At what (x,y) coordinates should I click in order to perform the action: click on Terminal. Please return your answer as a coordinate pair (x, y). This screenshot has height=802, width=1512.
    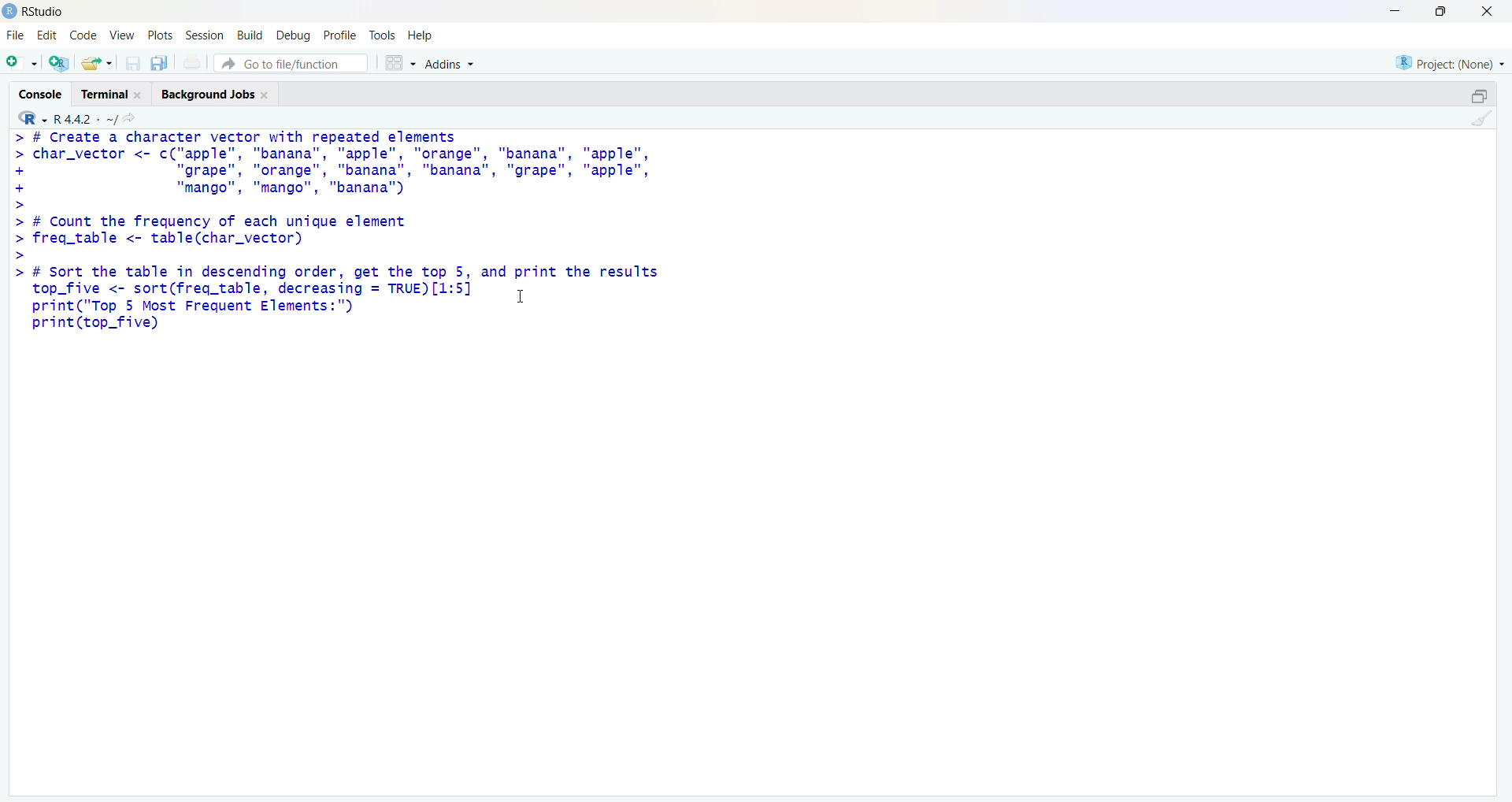
    Looking at the image, I should click on (113, 93).